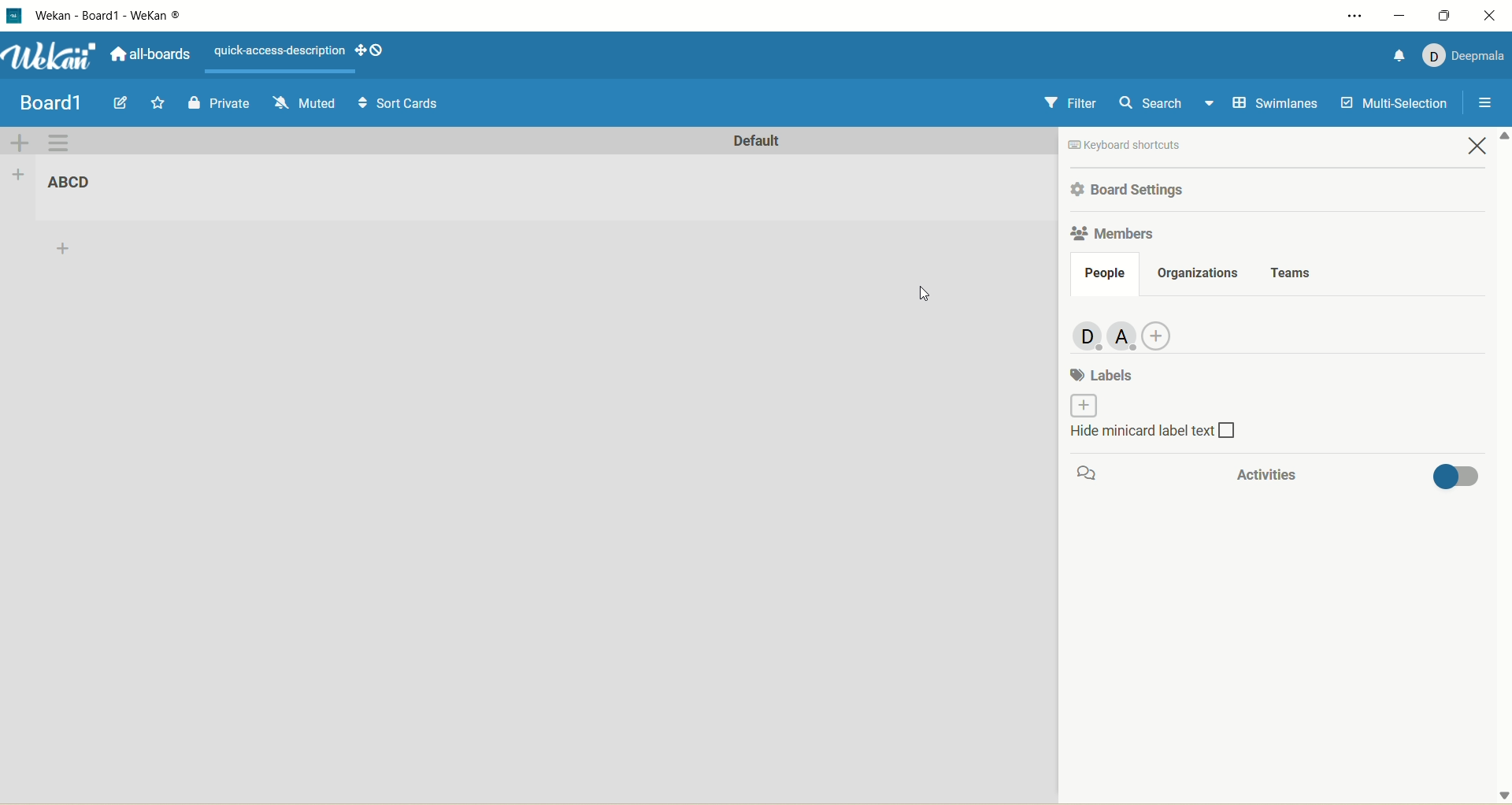  Describe the element at coordinates (76, 184) in the screenshot. I see `title` at that location.